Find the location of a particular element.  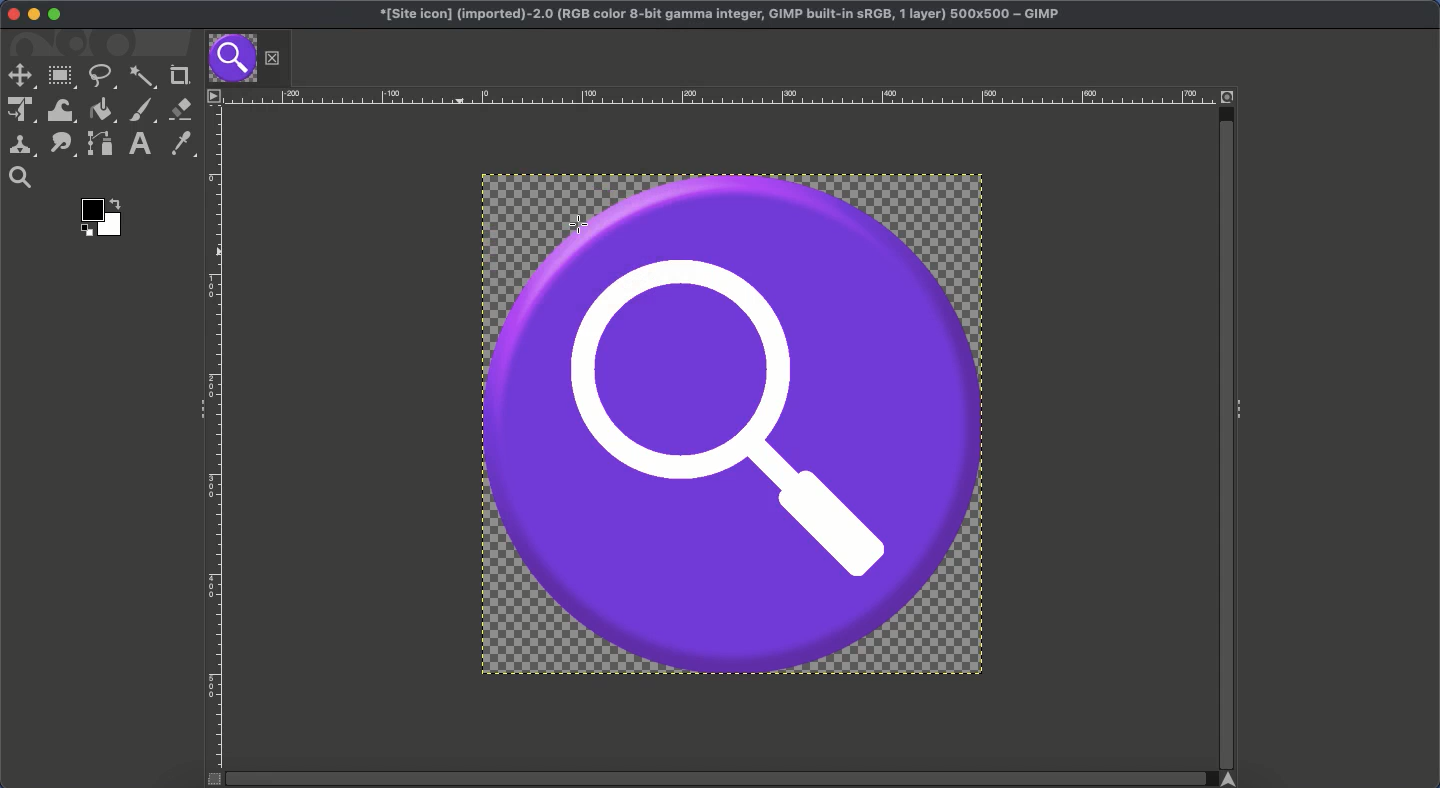

Scroll is located at coordinates (724, 779).